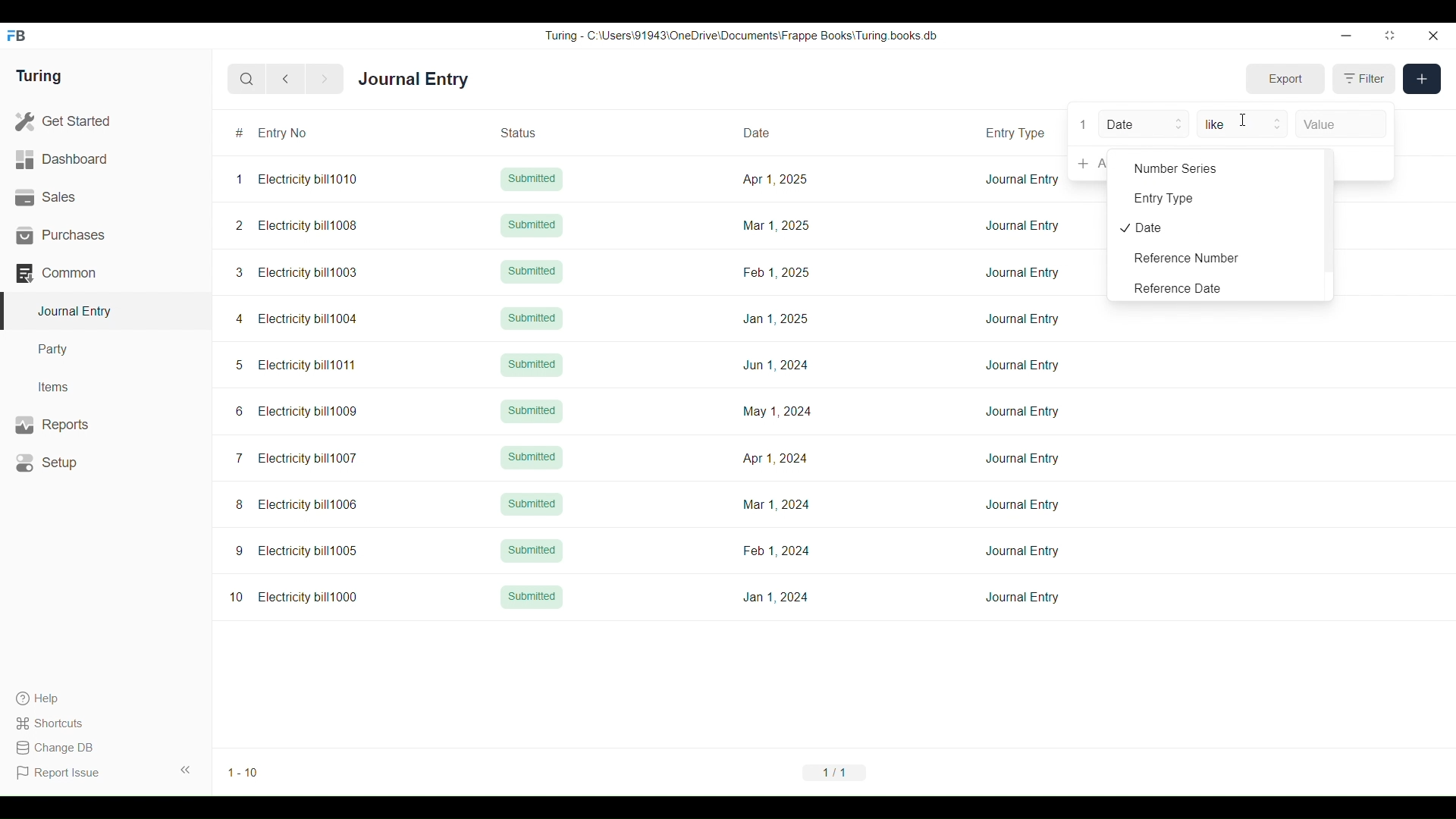 The width and height of the screenshot is (1456, 819). Describe the element at coordinates (325, 80) in the screenshot. I see `Next` at that location.